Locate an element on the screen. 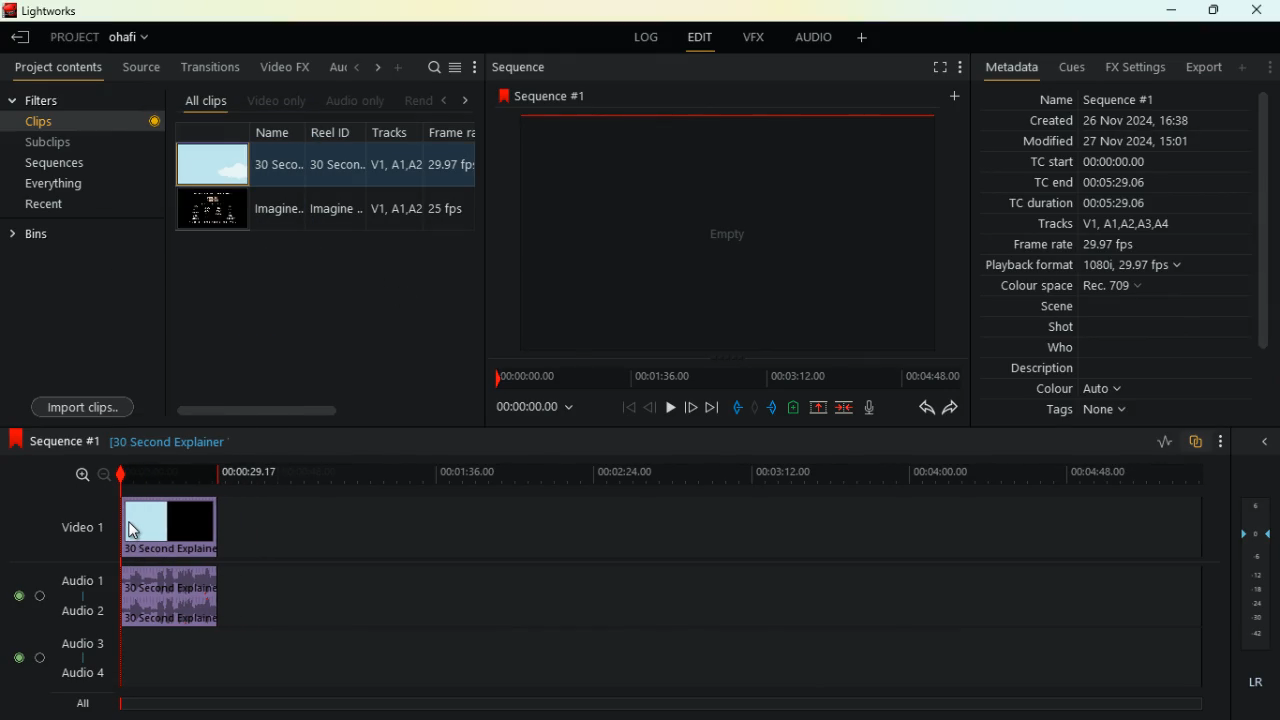  lightworks is located at coordinates (40, 12).